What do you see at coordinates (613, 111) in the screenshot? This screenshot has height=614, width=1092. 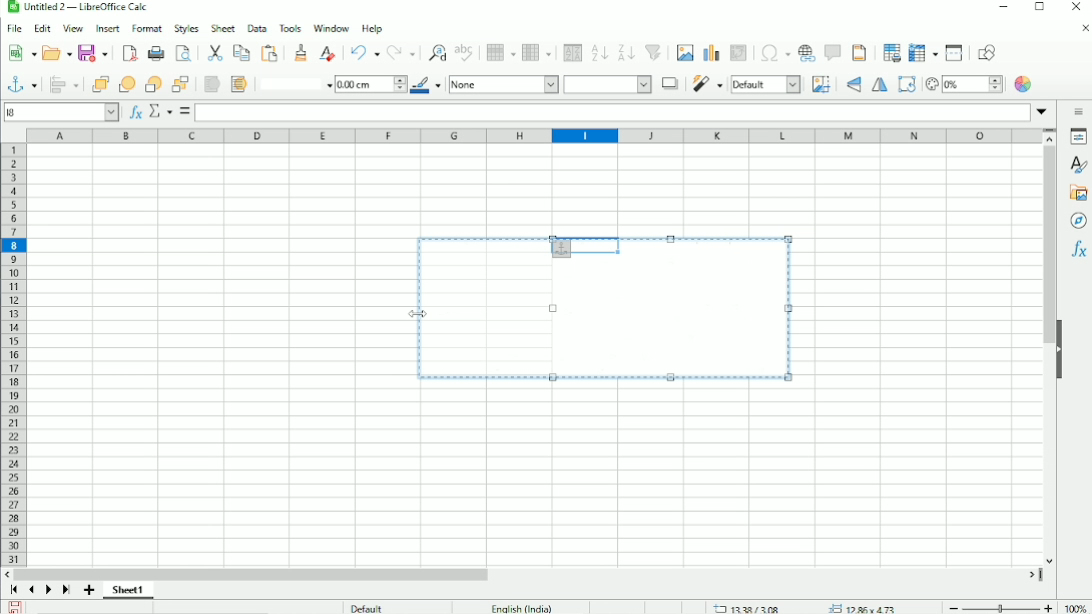 I see `Input line` at bounding box center [613, 111].